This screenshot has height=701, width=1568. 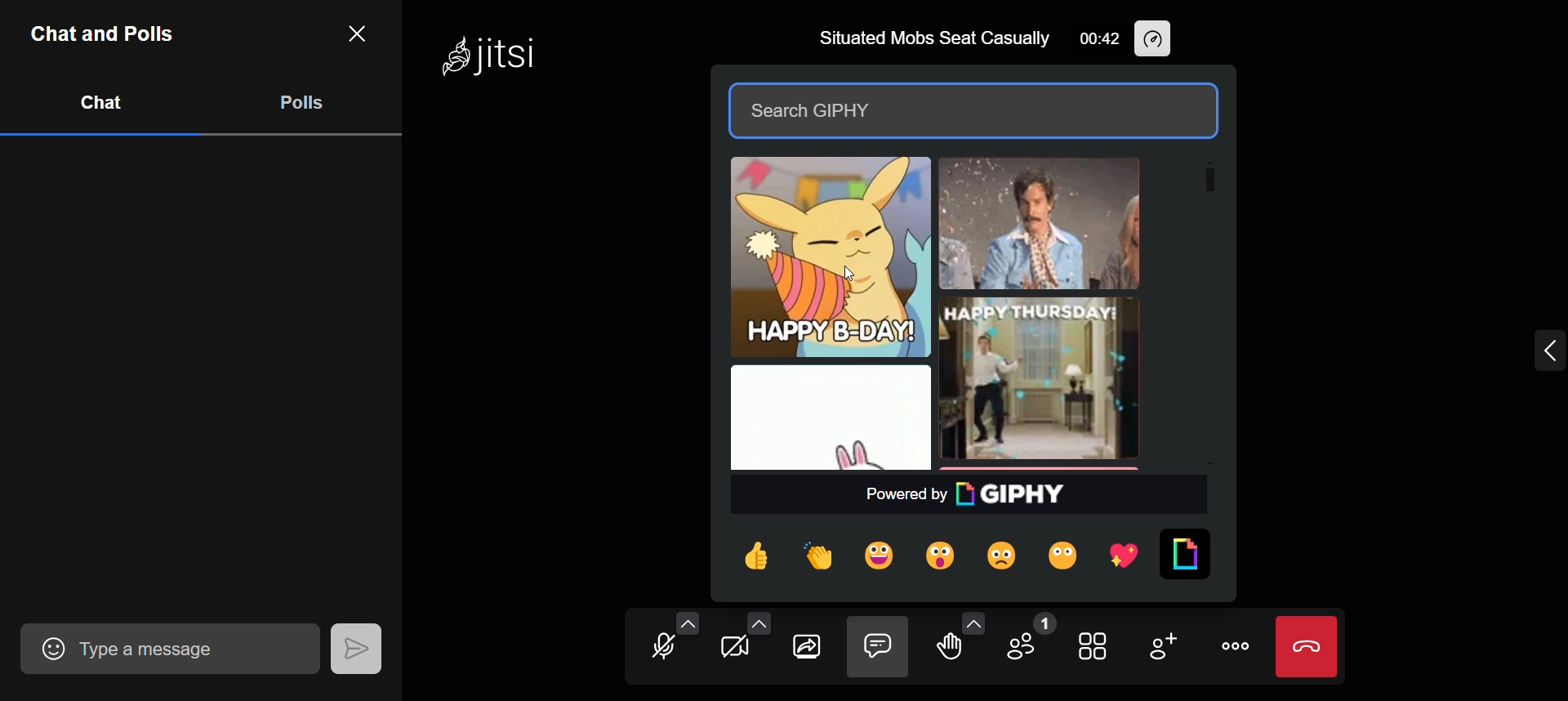 What do you see at coordinates (758, 623) in the screenshot?
I see `video setting` at bounding box center [758, 623].